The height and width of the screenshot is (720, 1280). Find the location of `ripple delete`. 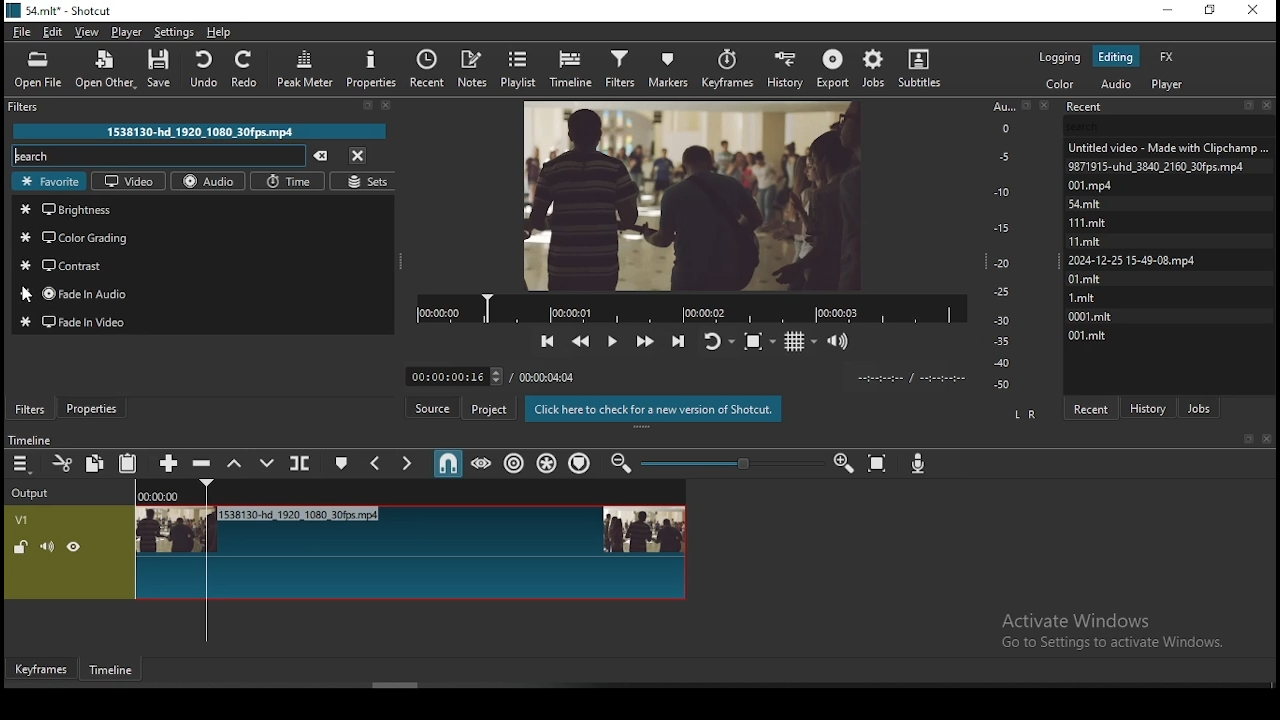

ripple delete is located at coordinates (204, 464).